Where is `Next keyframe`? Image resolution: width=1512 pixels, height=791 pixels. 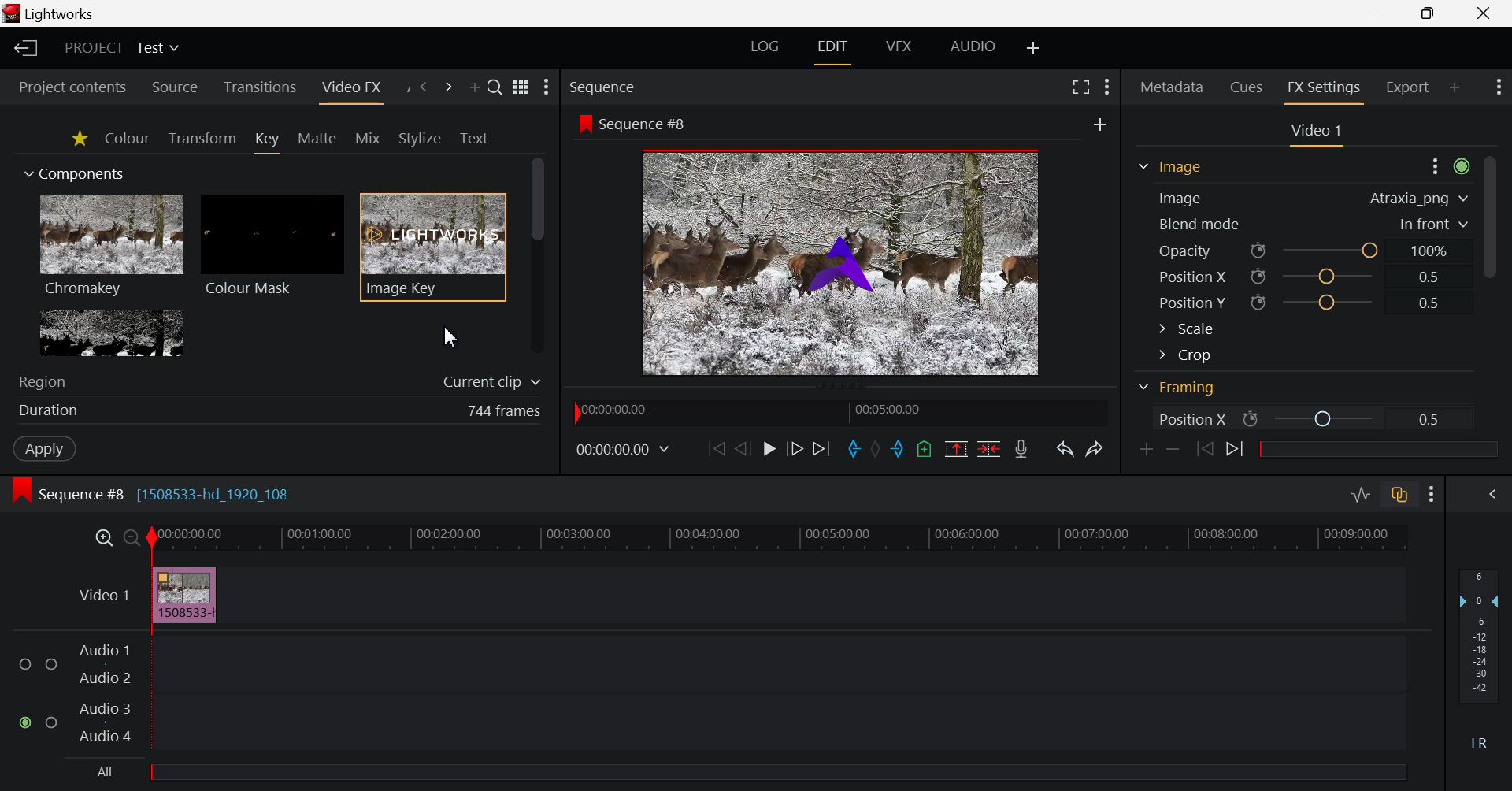
Next keyframe is located at coordinates (1235, 452).